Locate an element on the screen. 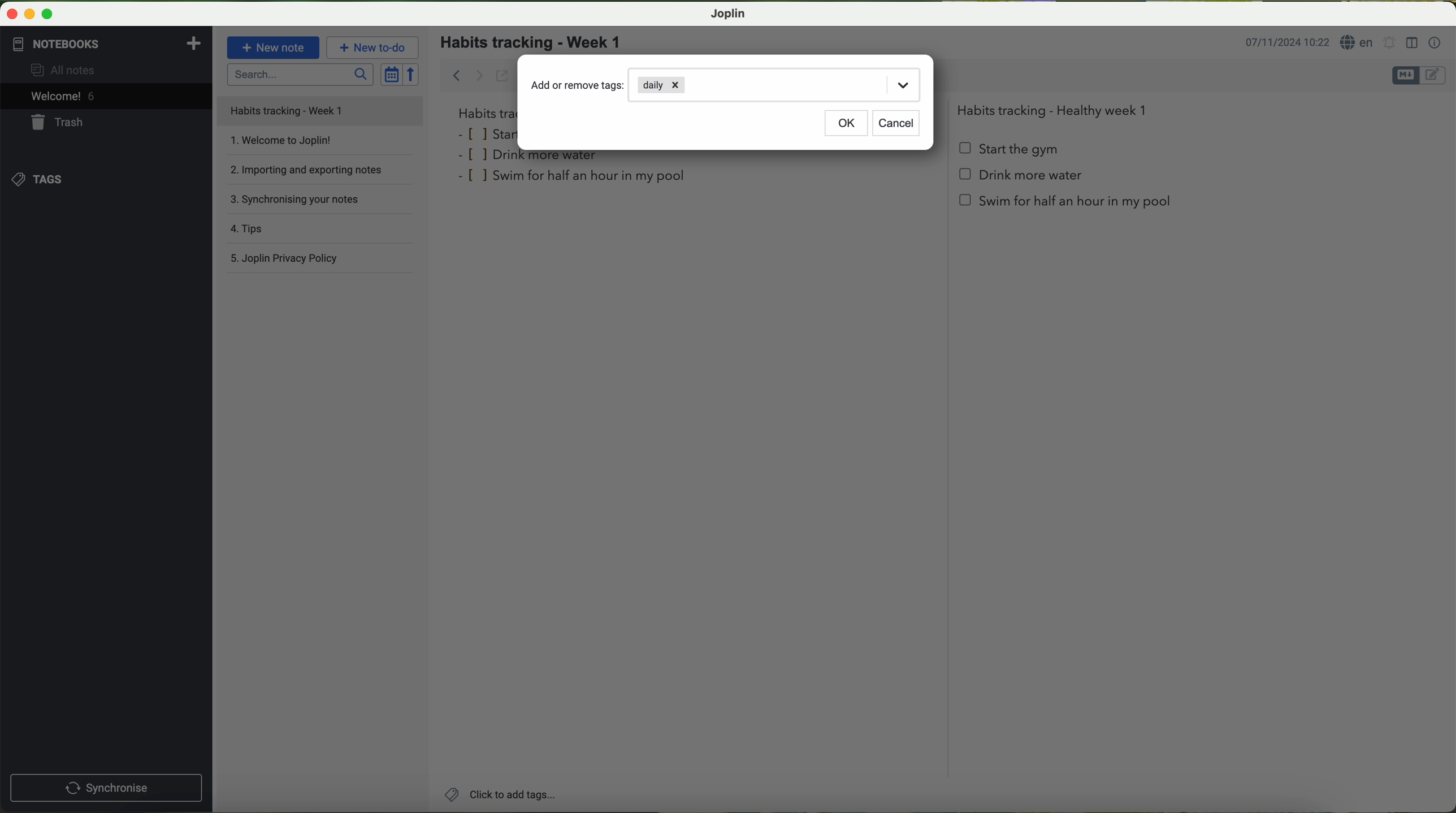 The width and height of the screenshot is (1456, 813). Joplin privacy policy is located at coordinates (321, 260).